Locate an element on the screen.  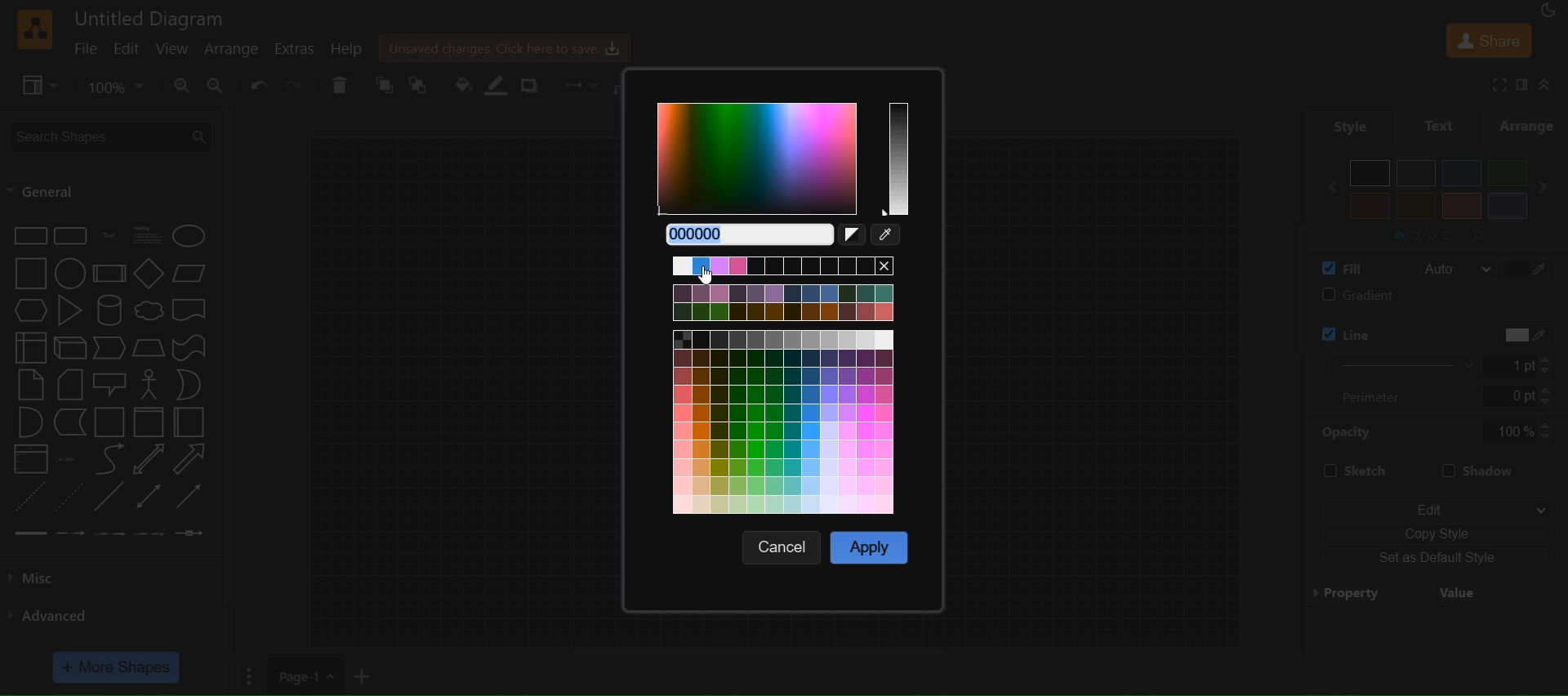
page 1 is located at coordinates (304, 675).